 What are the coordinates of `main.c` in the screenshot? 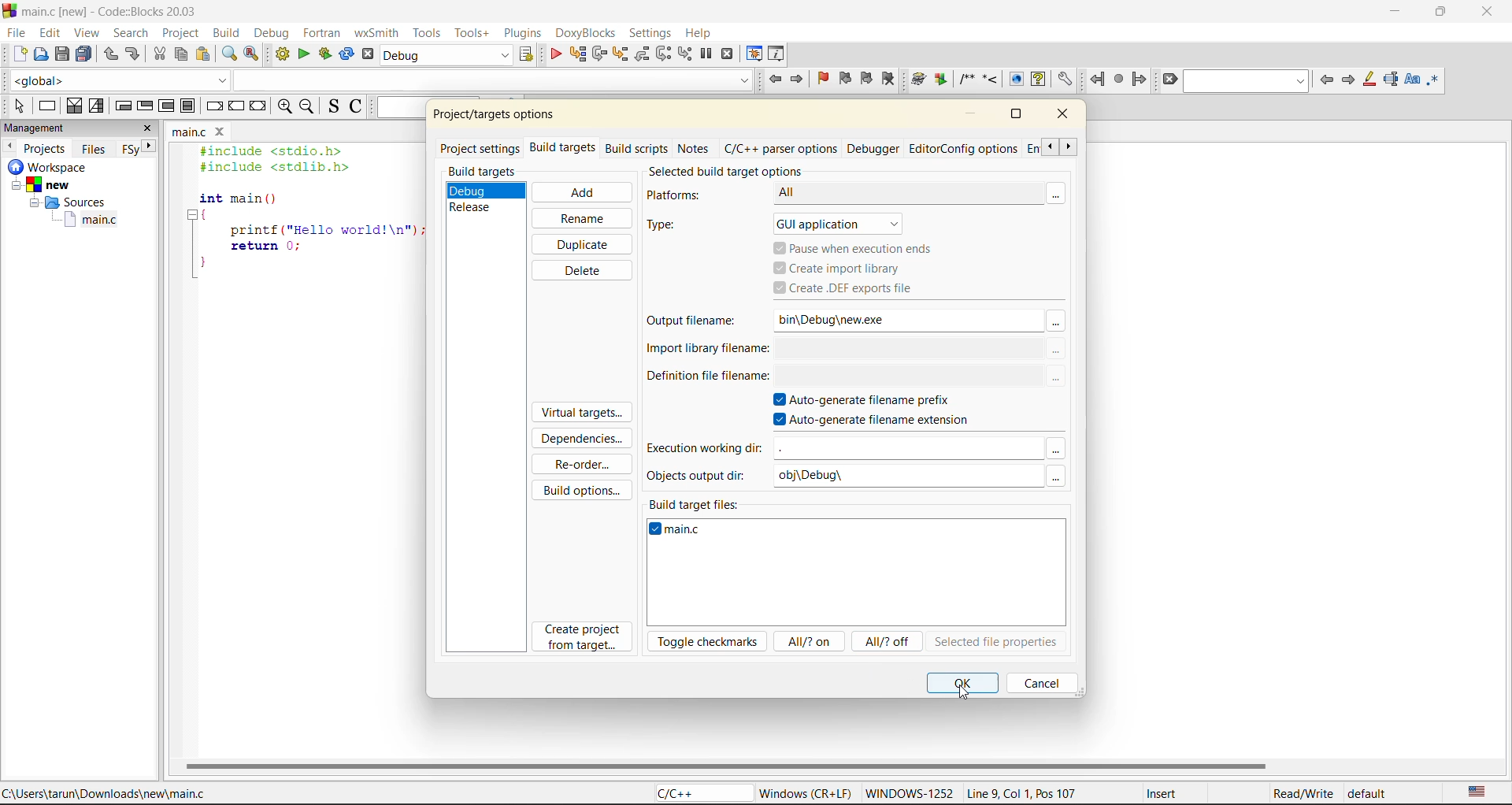 It's located at (72, 220).